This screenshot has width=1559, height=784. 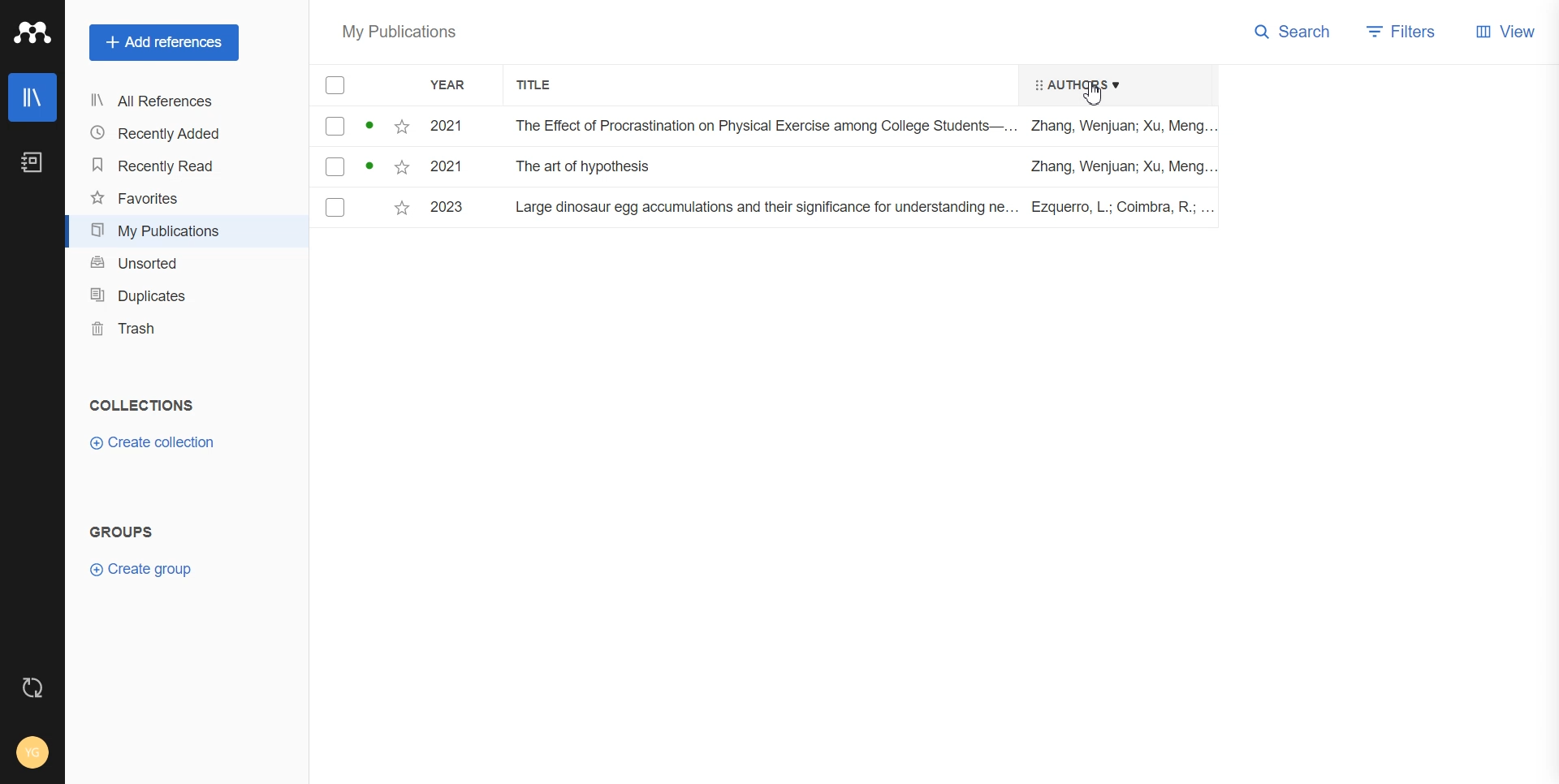 What do you see at coordinates (1095, 93) in the screenshot?
I see `Cursor` at bounding box center [1095, 93].